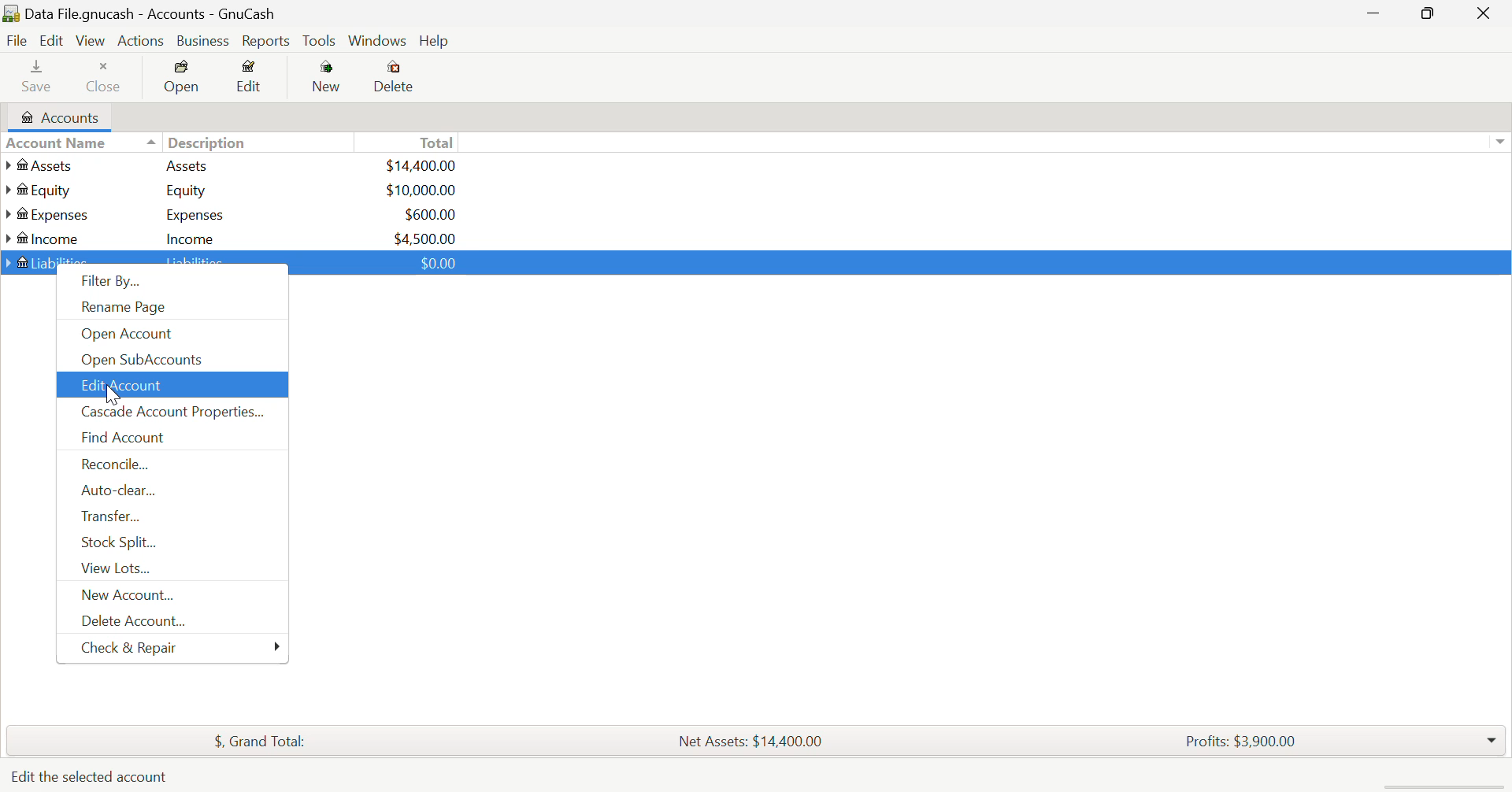  I want to click on Delete Account, so click(166, 624).